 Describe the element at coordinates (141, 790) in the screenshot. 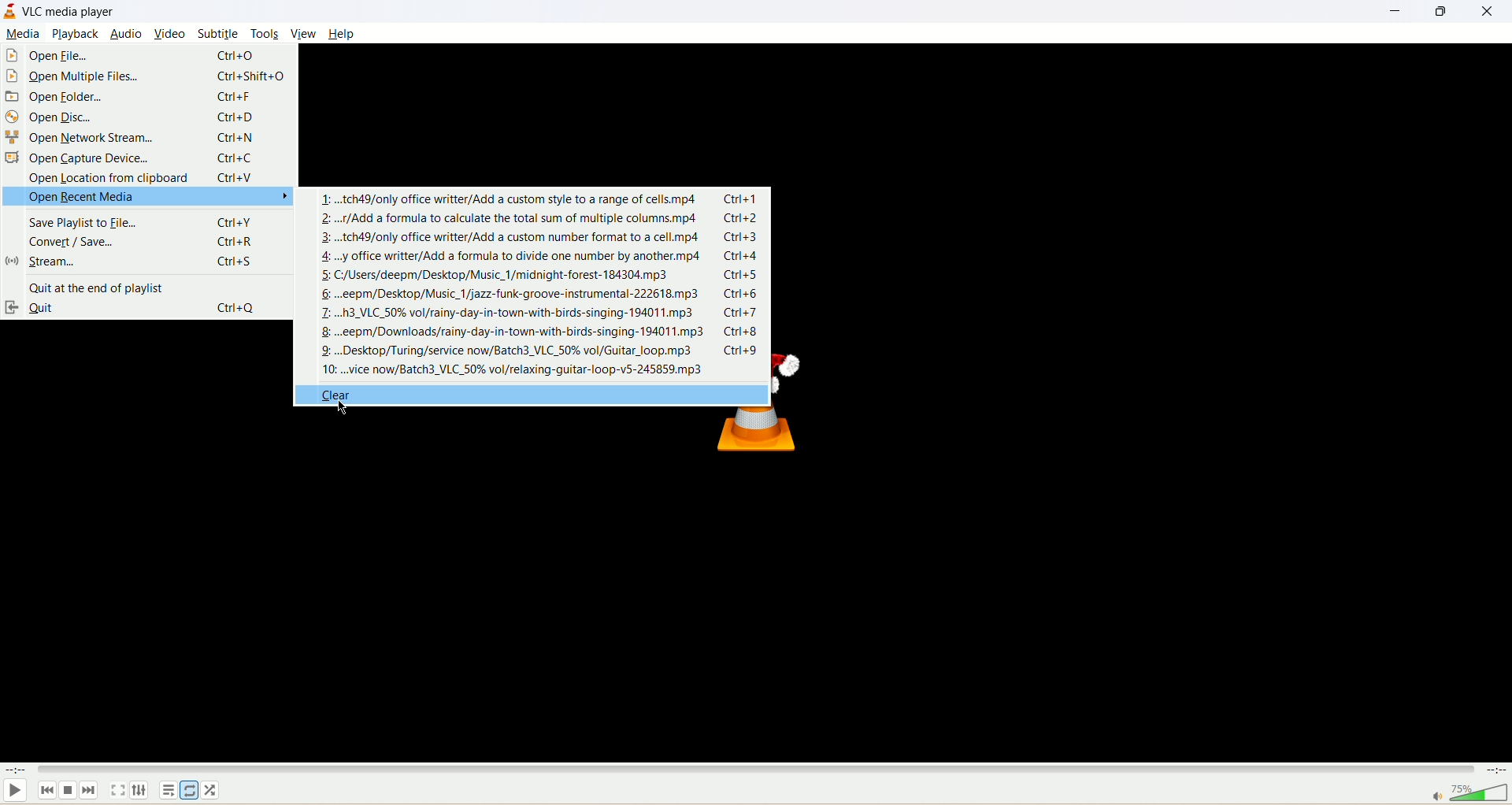

I see `audio/subtitle track option` at that location.